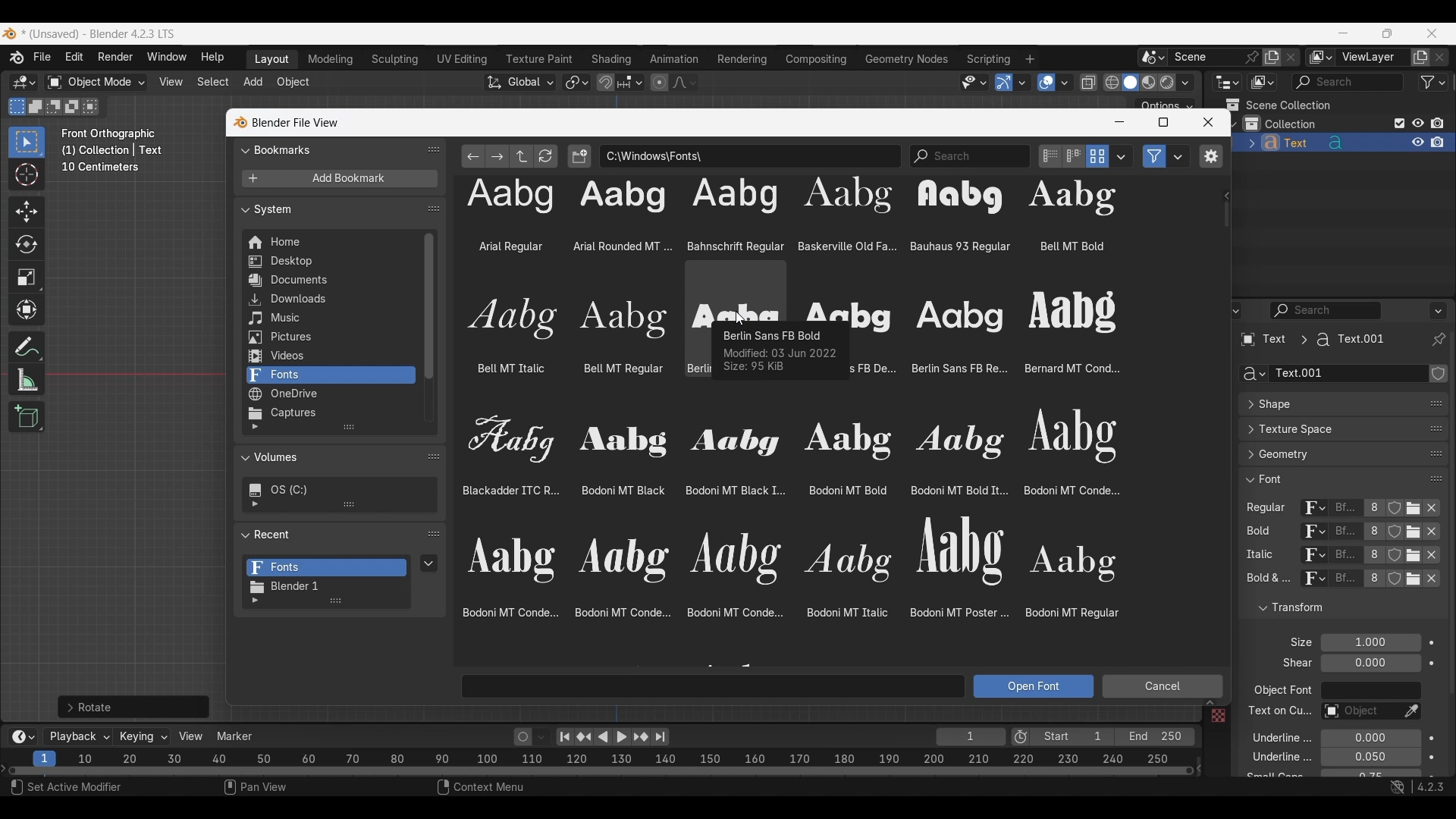  Describe the element at coordinates (330, 356) in the screenshot. I see `Videos folder` at that location.